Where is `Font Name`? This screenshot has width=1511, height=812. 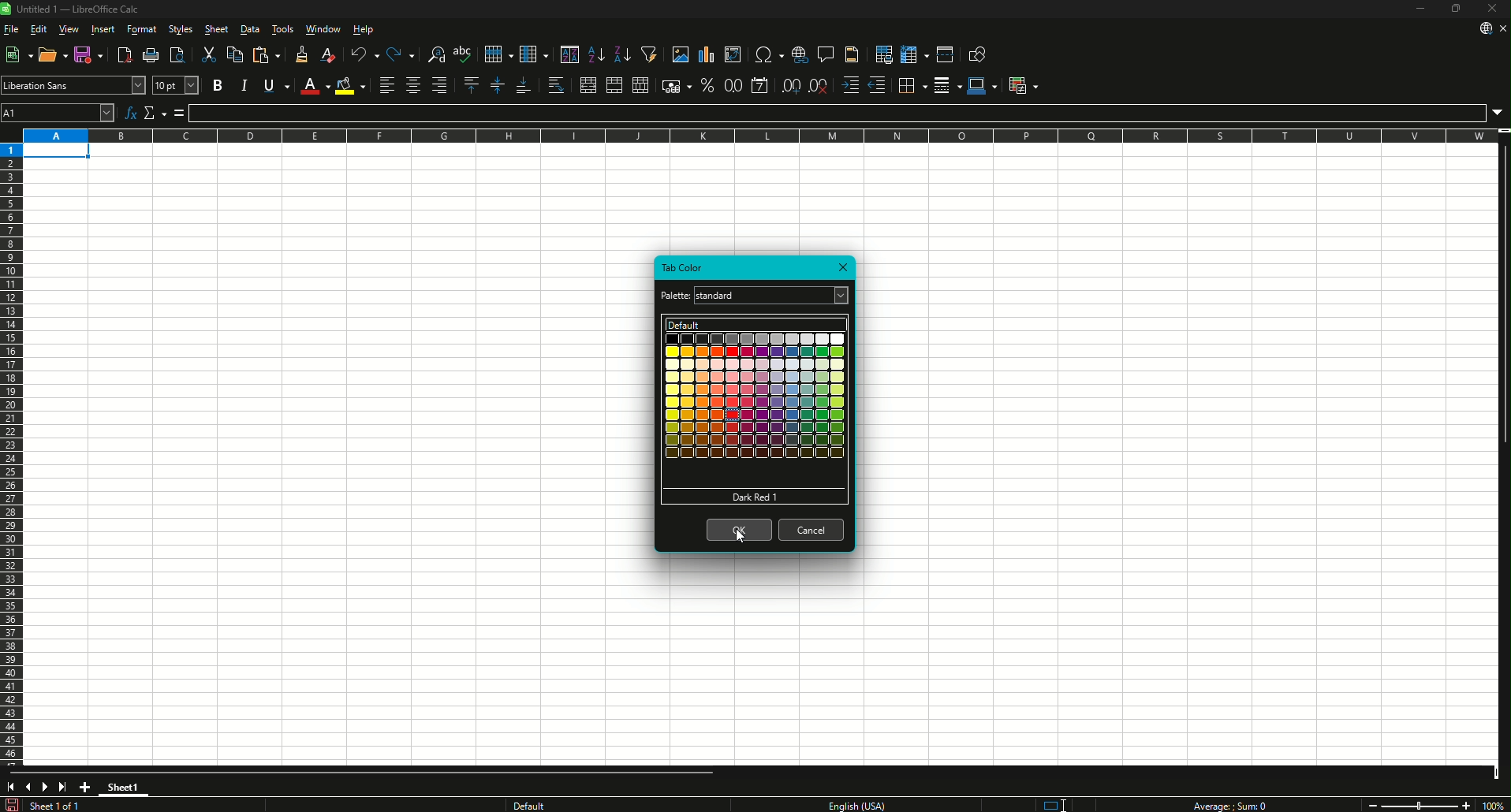
Font Name is located at coordinates (138, 85).